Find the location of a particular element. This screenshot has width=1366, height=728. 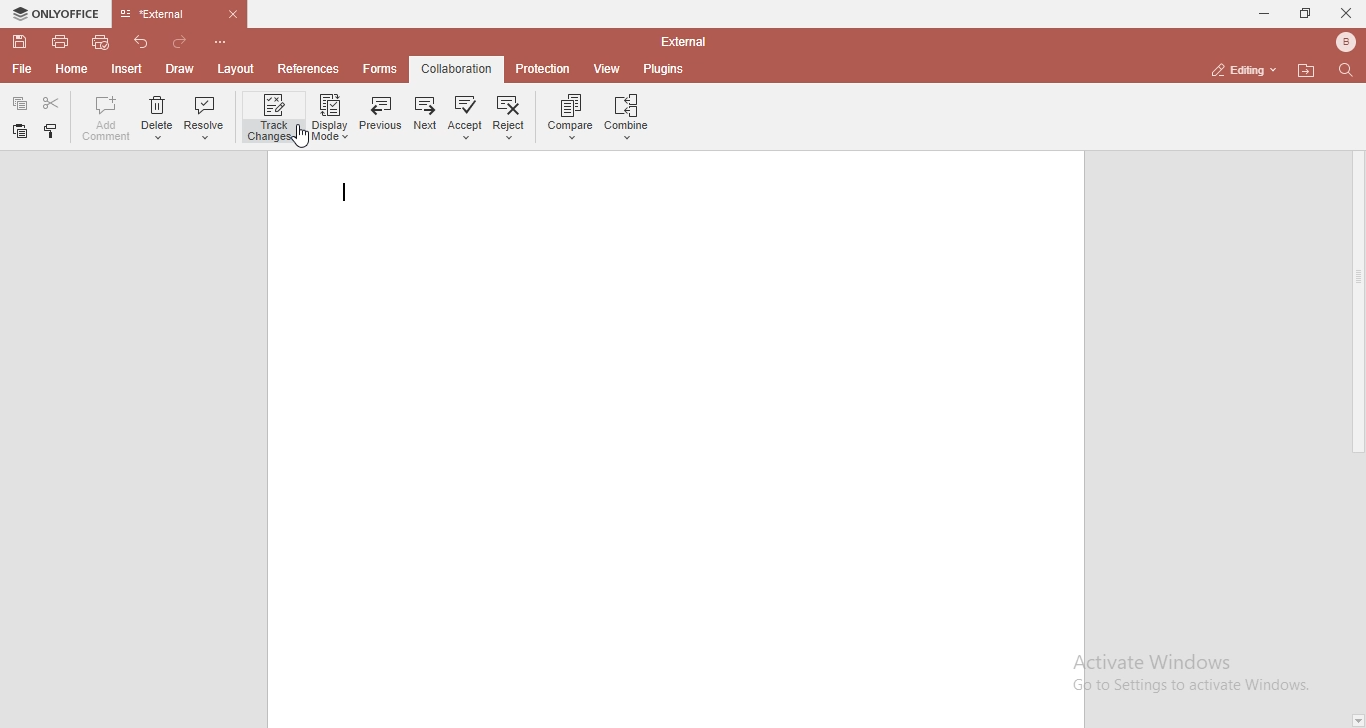

save is located at coordinates (20, 42).